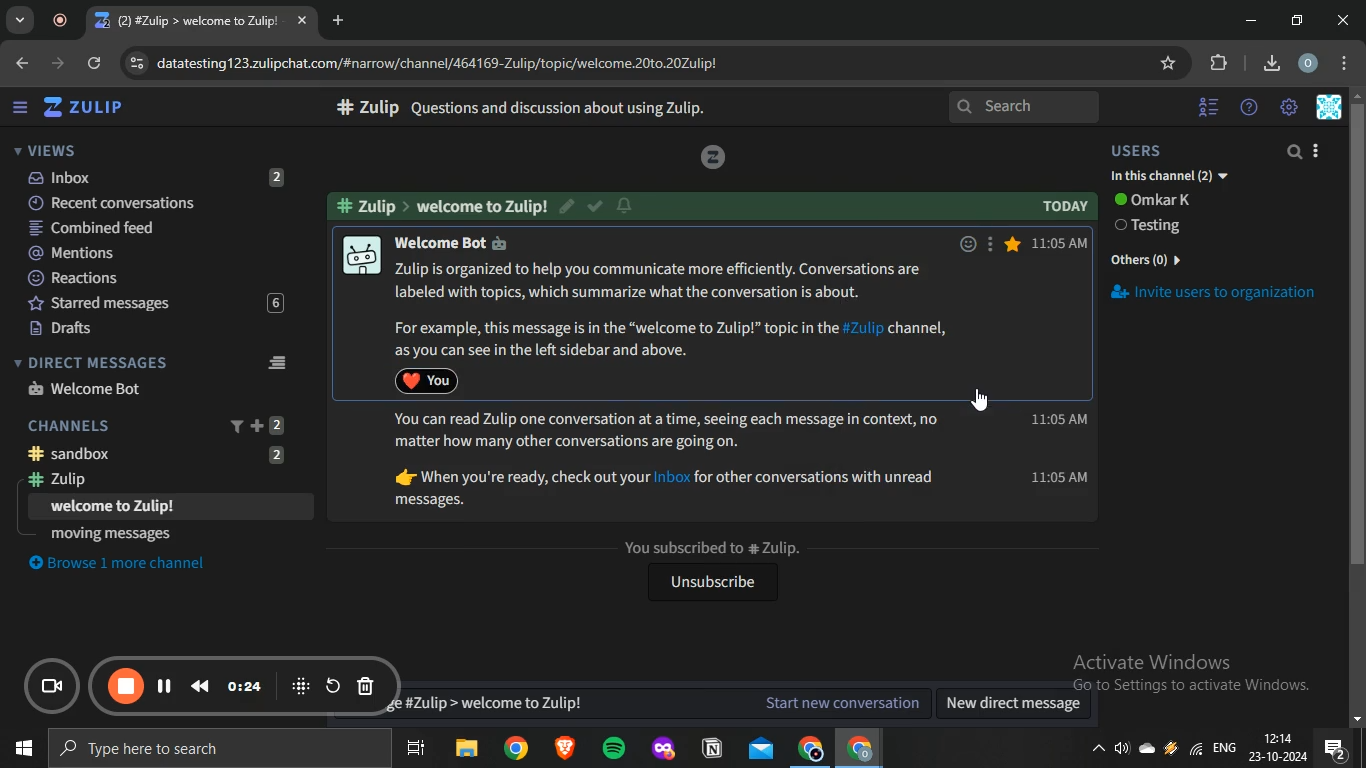 This screenshot has width=1366, height=768. I want to click on Inbox Overview of your conversations with unread messages., so click(559, 108).